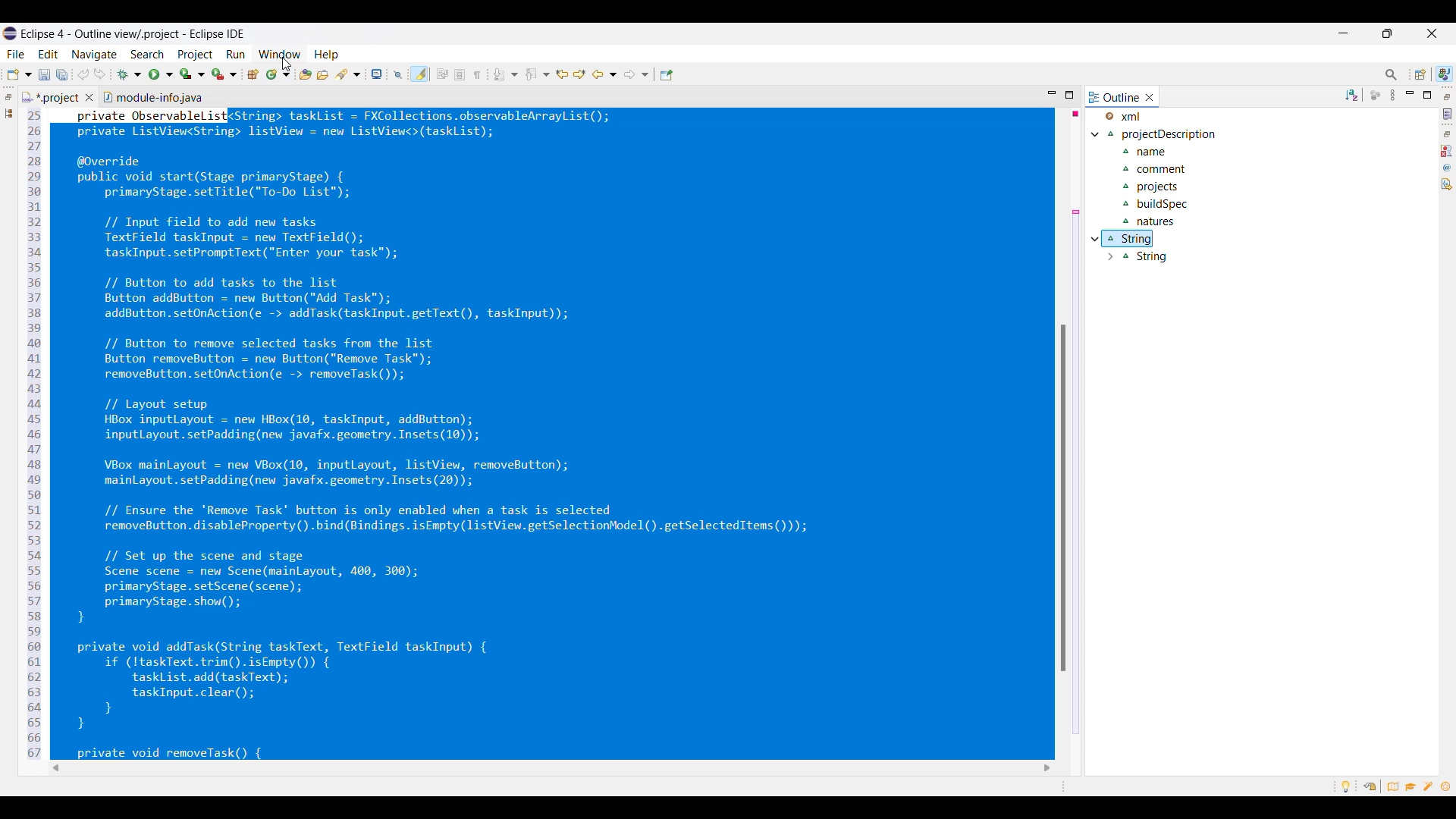  I want to click on Previous annotations, so click(538, 74).